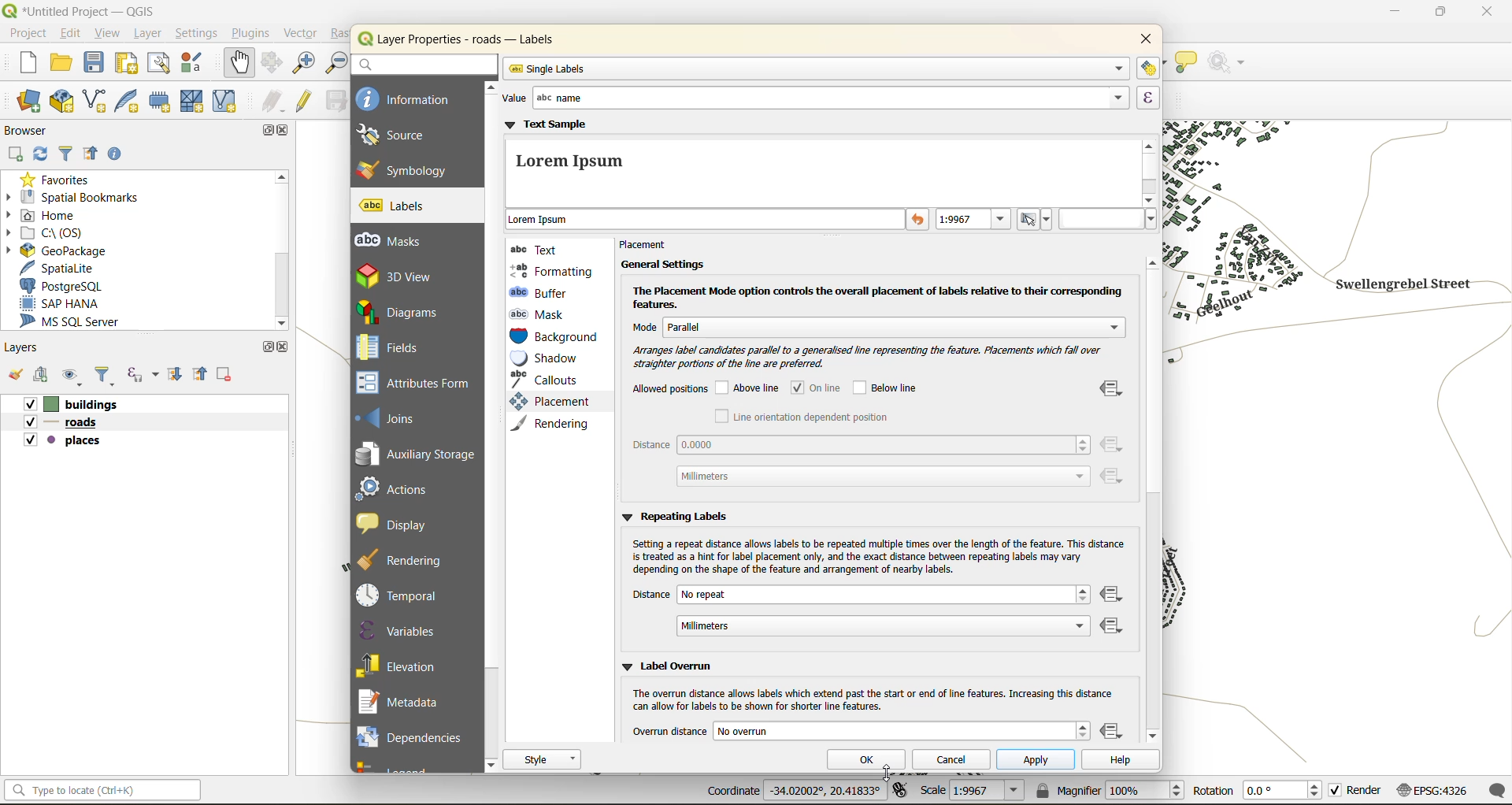 This screenshot has width=1512, height=805. What do you see at coordinates (876, 687) in the screenshot?
I see `‘Ww Label Overrun
‘The overrun distance allows labels which extend past the start or end of line features. Increasing this distance
can allow for labels to be shown for shorter line features.` at bounding box center [876, 687].